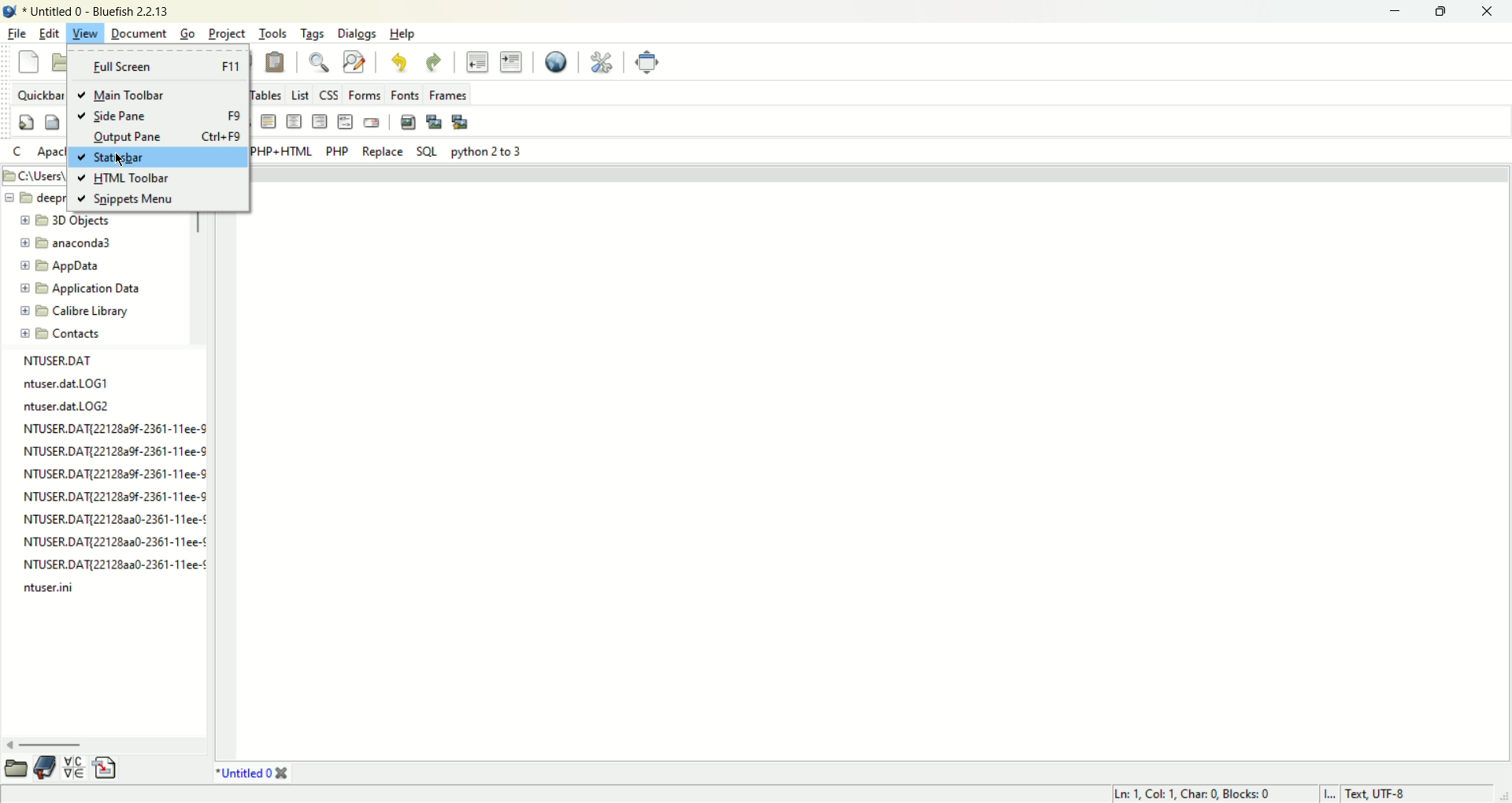  Describe the element at coordinates (160, 95) in the screenshot. I see `main toolbar` at that location.